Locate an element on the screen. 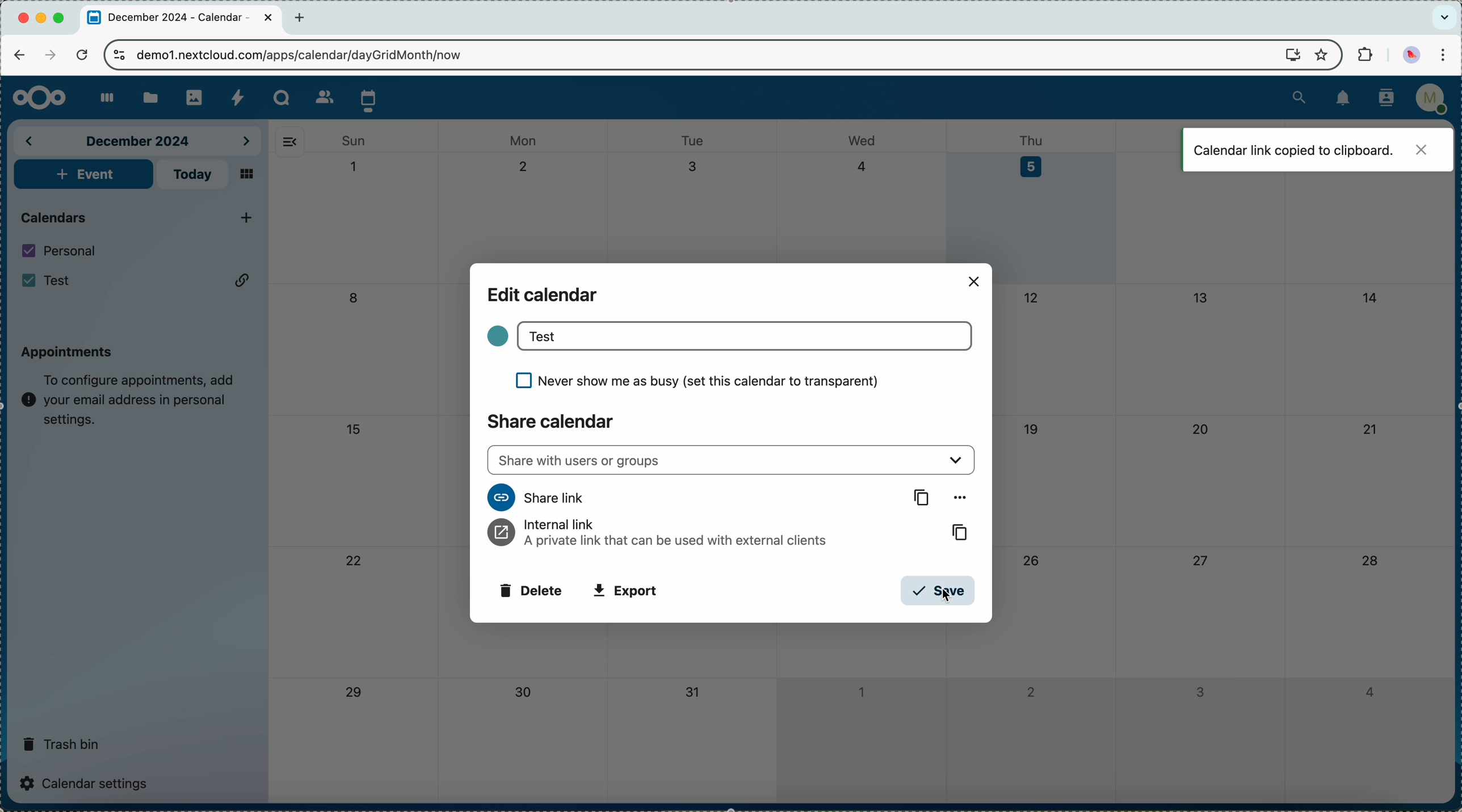 The image size is (1462, 812). 31 is located at coordinates (694, 693).